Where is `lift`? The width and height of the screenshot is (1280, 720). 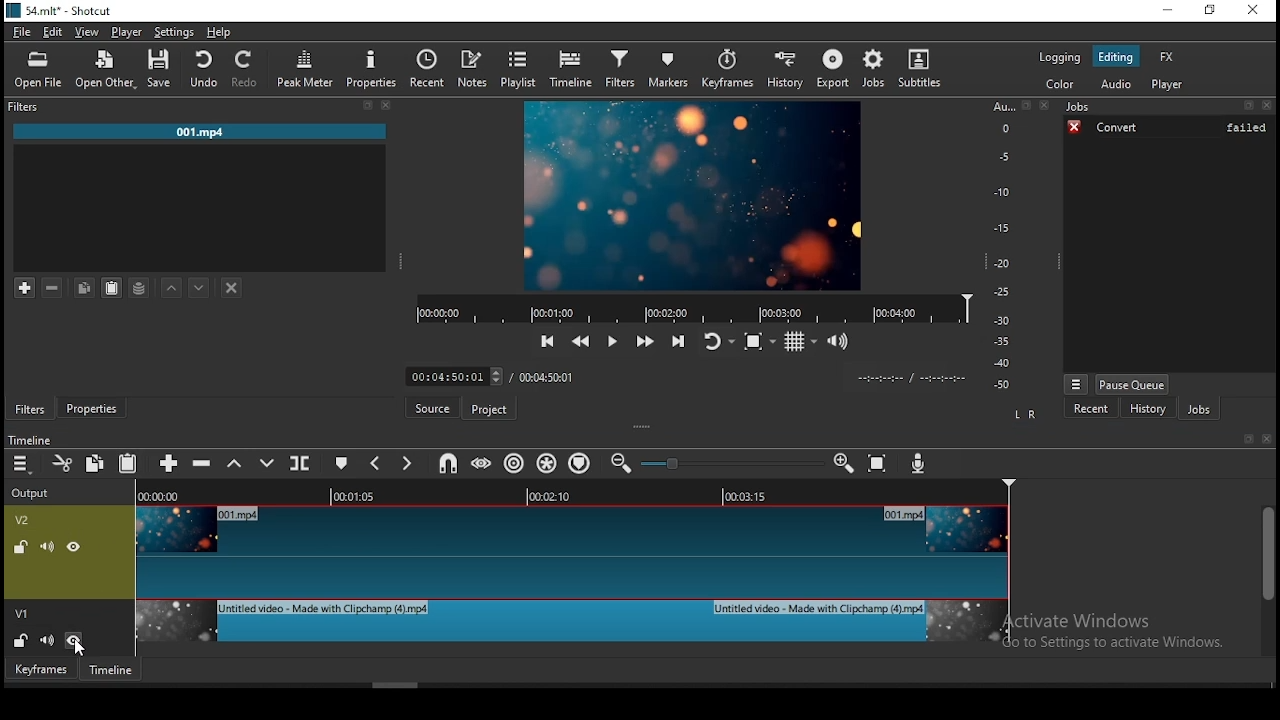
lift is located at coordinates (233, 465).